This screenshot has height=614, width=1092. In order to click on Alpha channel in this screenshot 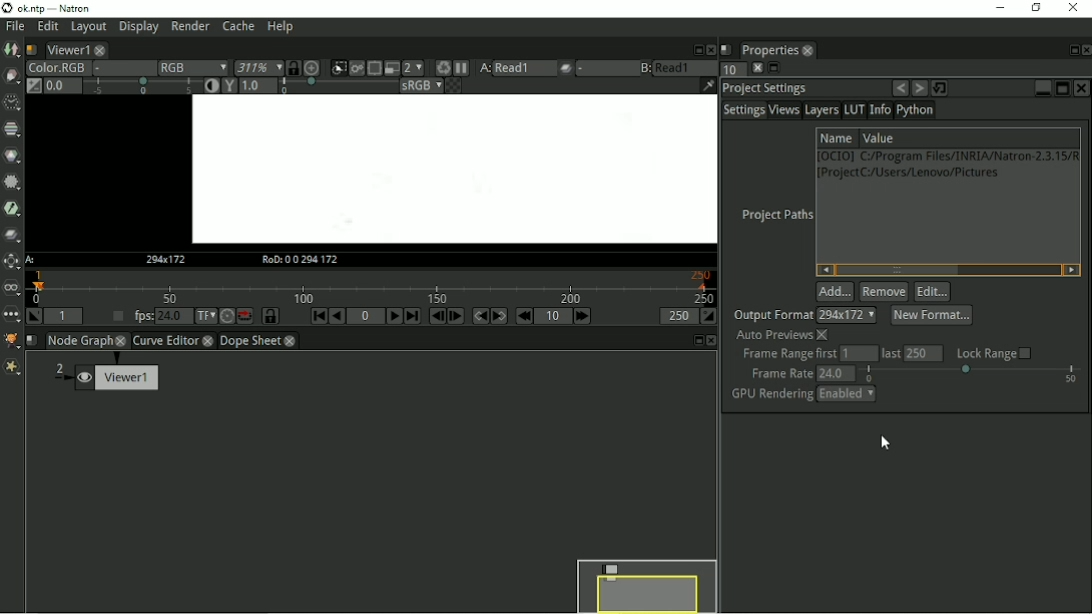, I will do `click(125, 68)`.